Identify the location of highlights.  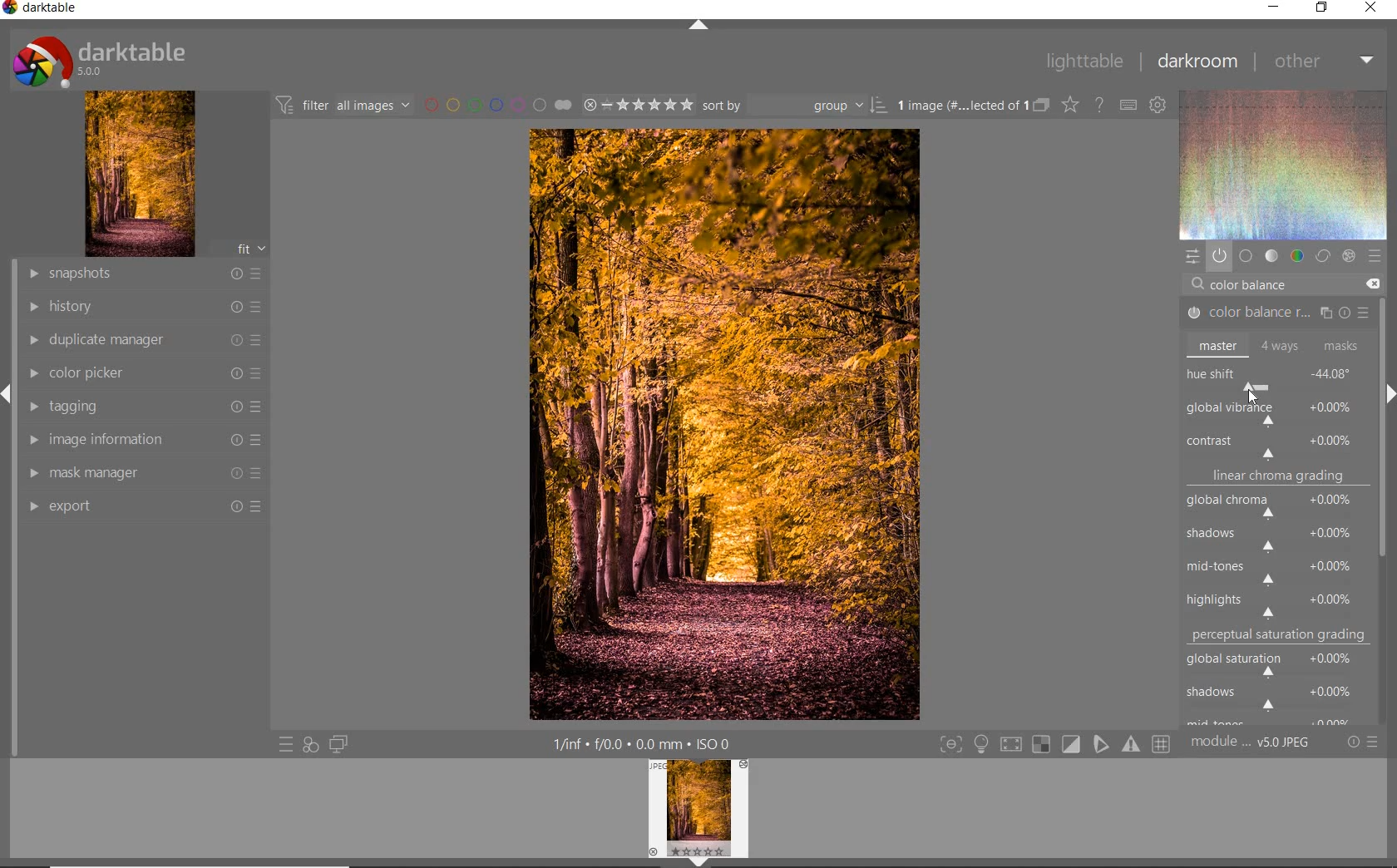
(1281, 601).